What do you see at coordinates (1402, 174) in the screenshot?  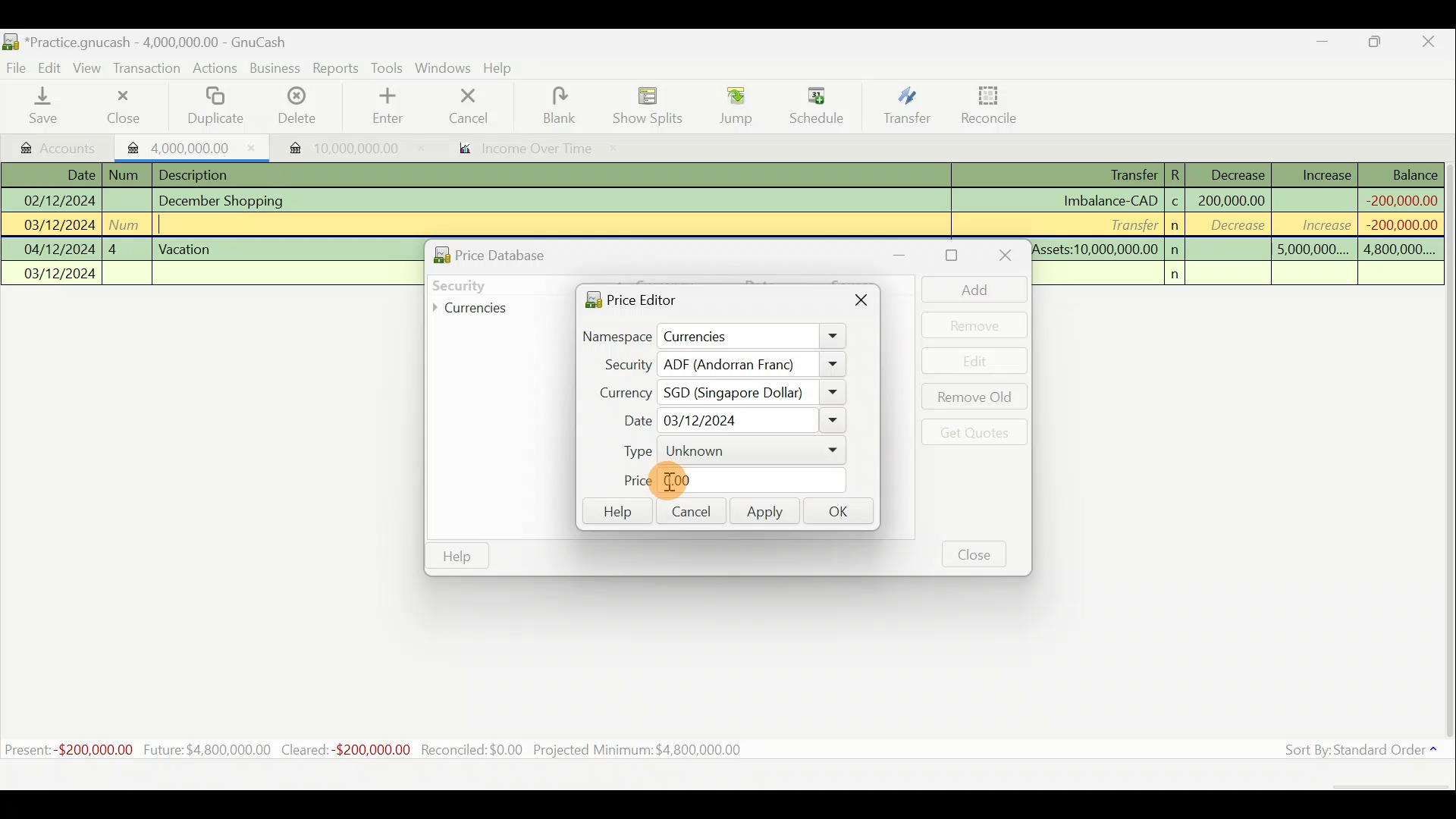 I see `Balance` at bounding box center [1402, 174].